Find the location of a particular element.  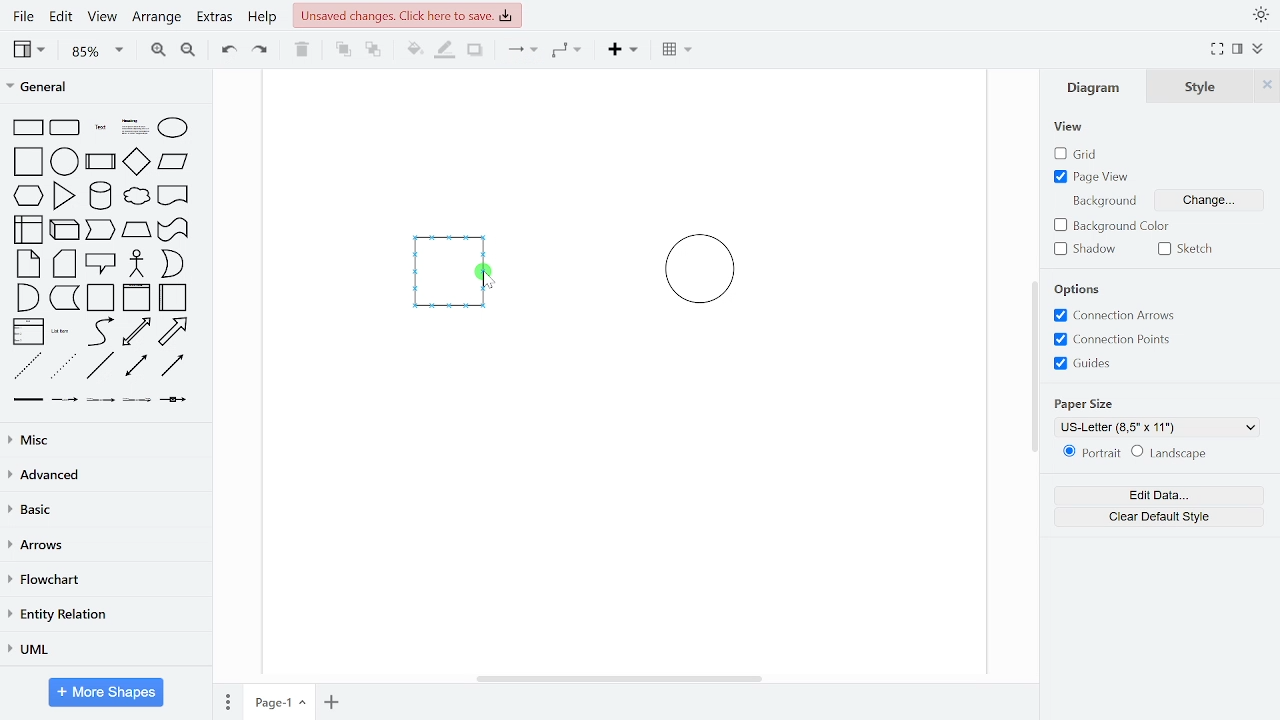

connector  with 2 labels is located at coordinates (102, 400).